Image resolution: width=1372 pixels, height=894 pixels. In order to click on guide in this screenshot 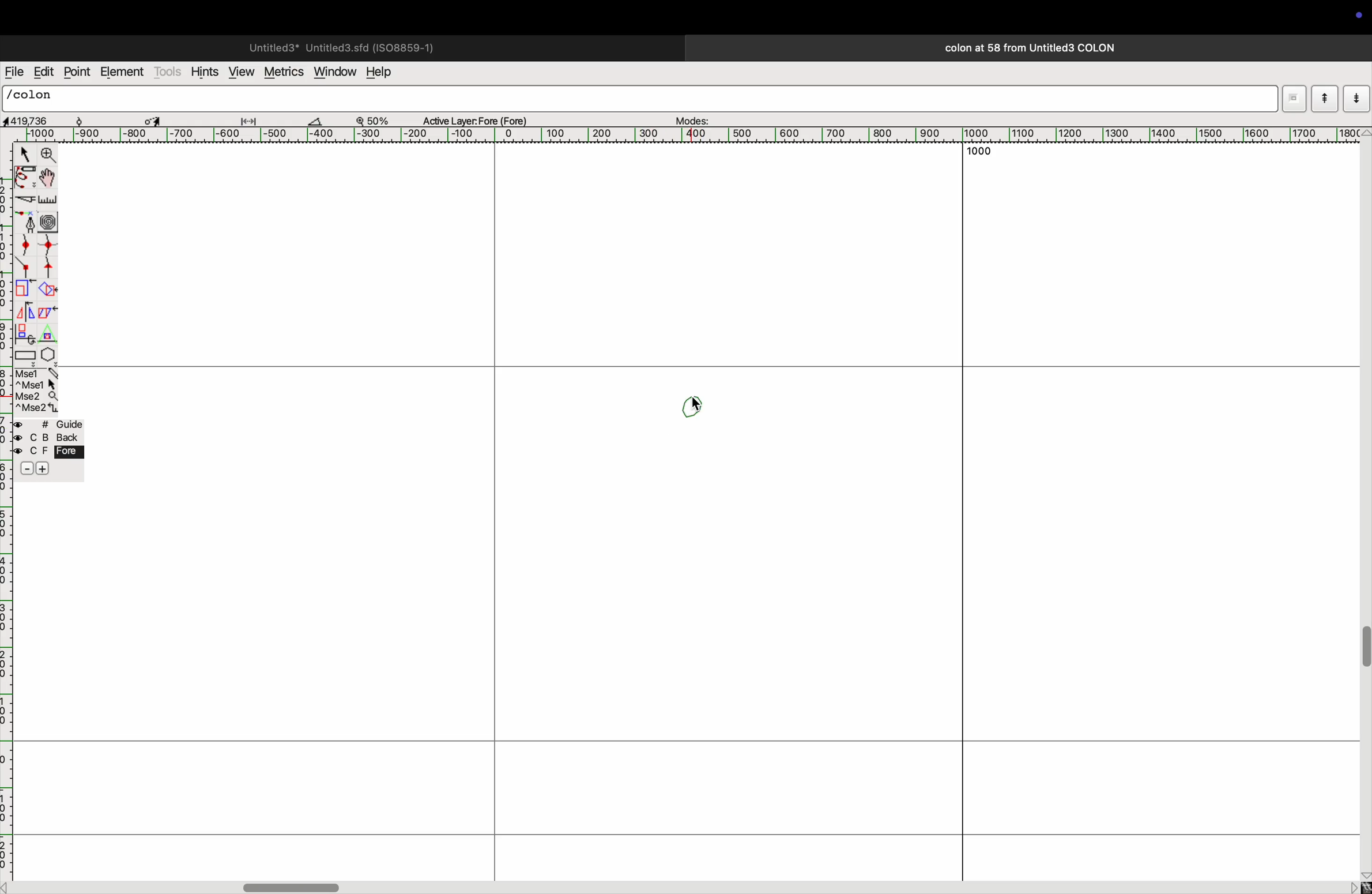, I will do `click(52, 449)`.